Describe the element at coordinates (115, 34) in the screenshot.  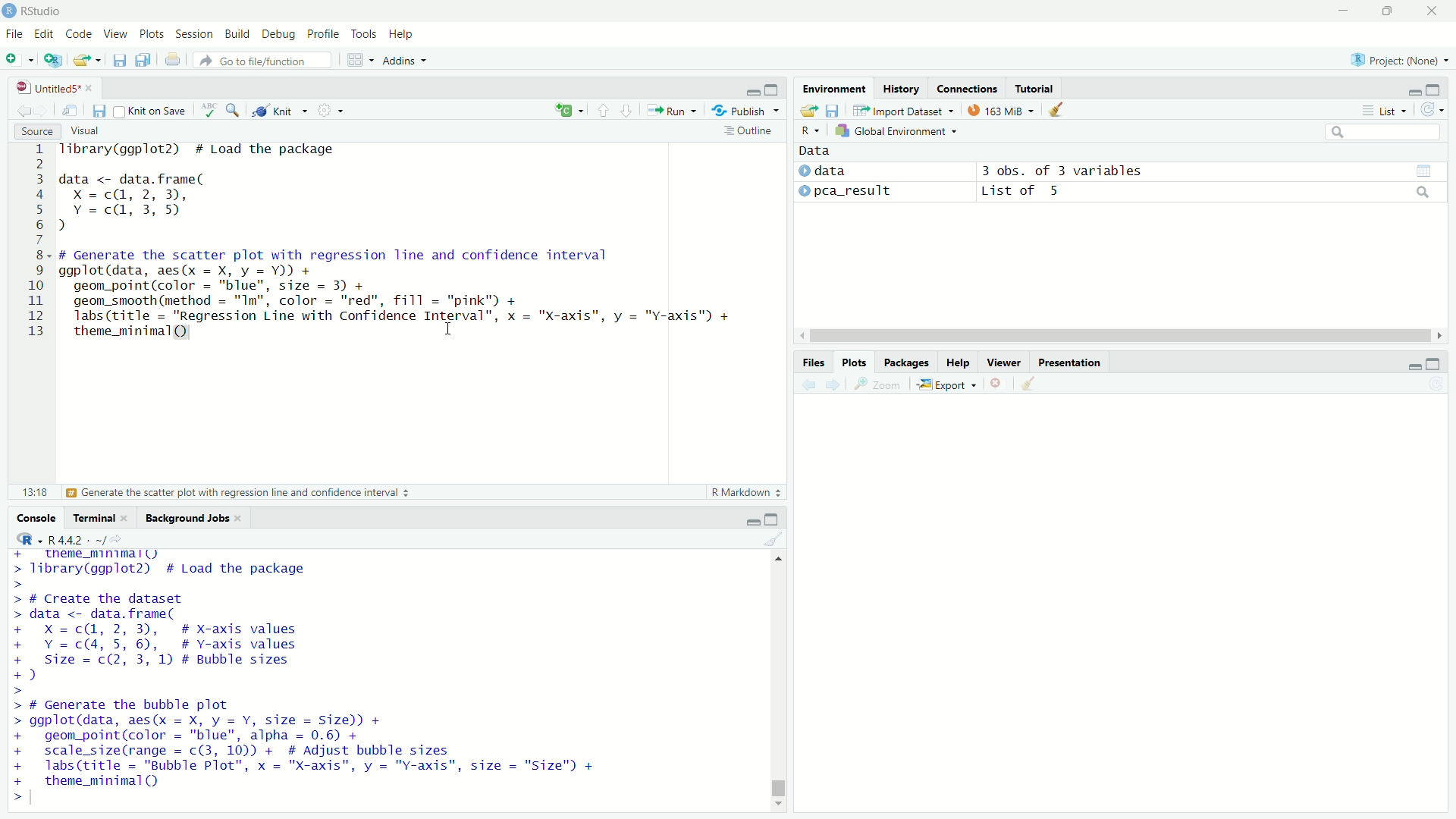
I see `View` at that location.